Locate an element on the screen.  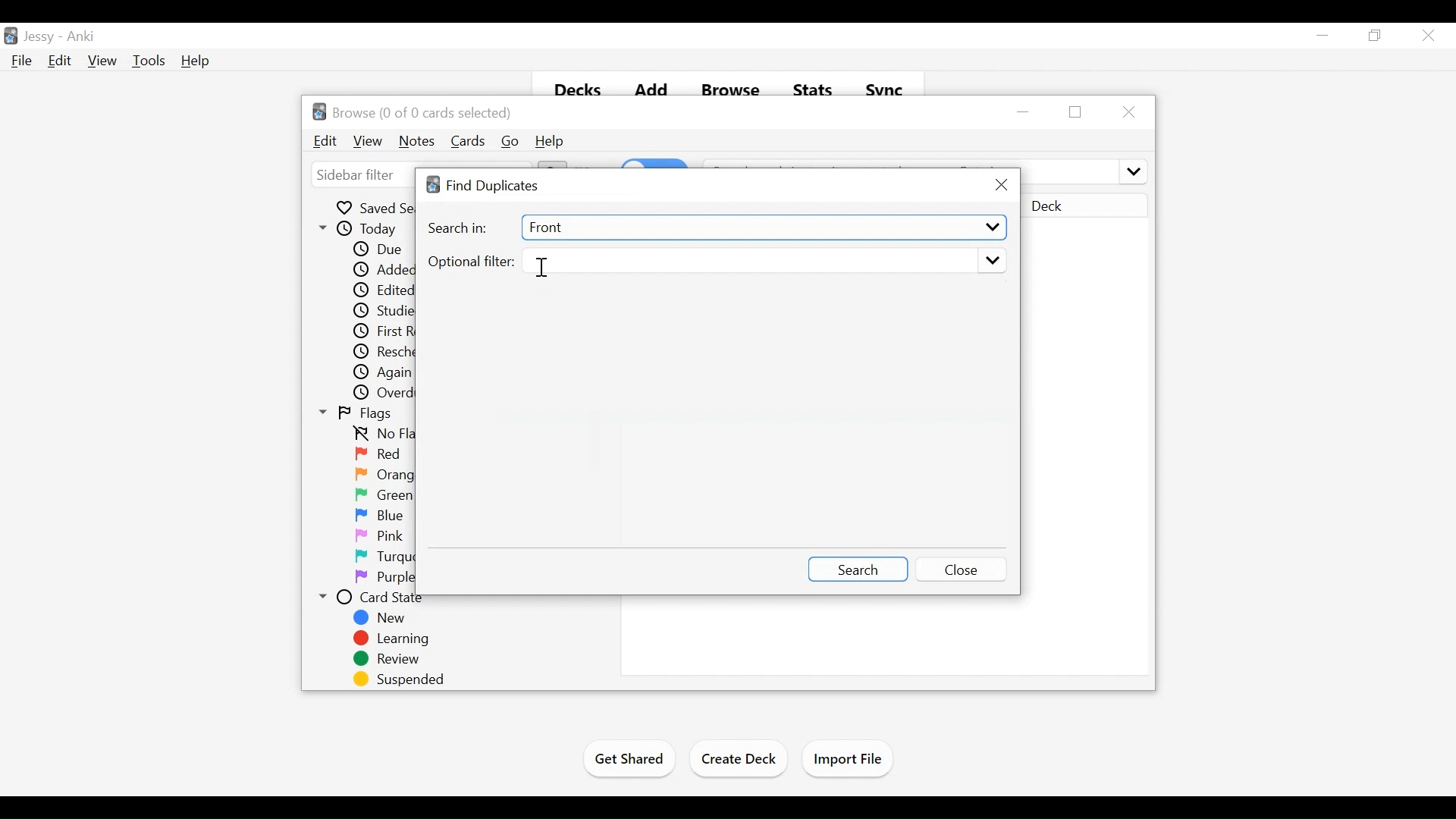
File is located at coordinates (21, 60).